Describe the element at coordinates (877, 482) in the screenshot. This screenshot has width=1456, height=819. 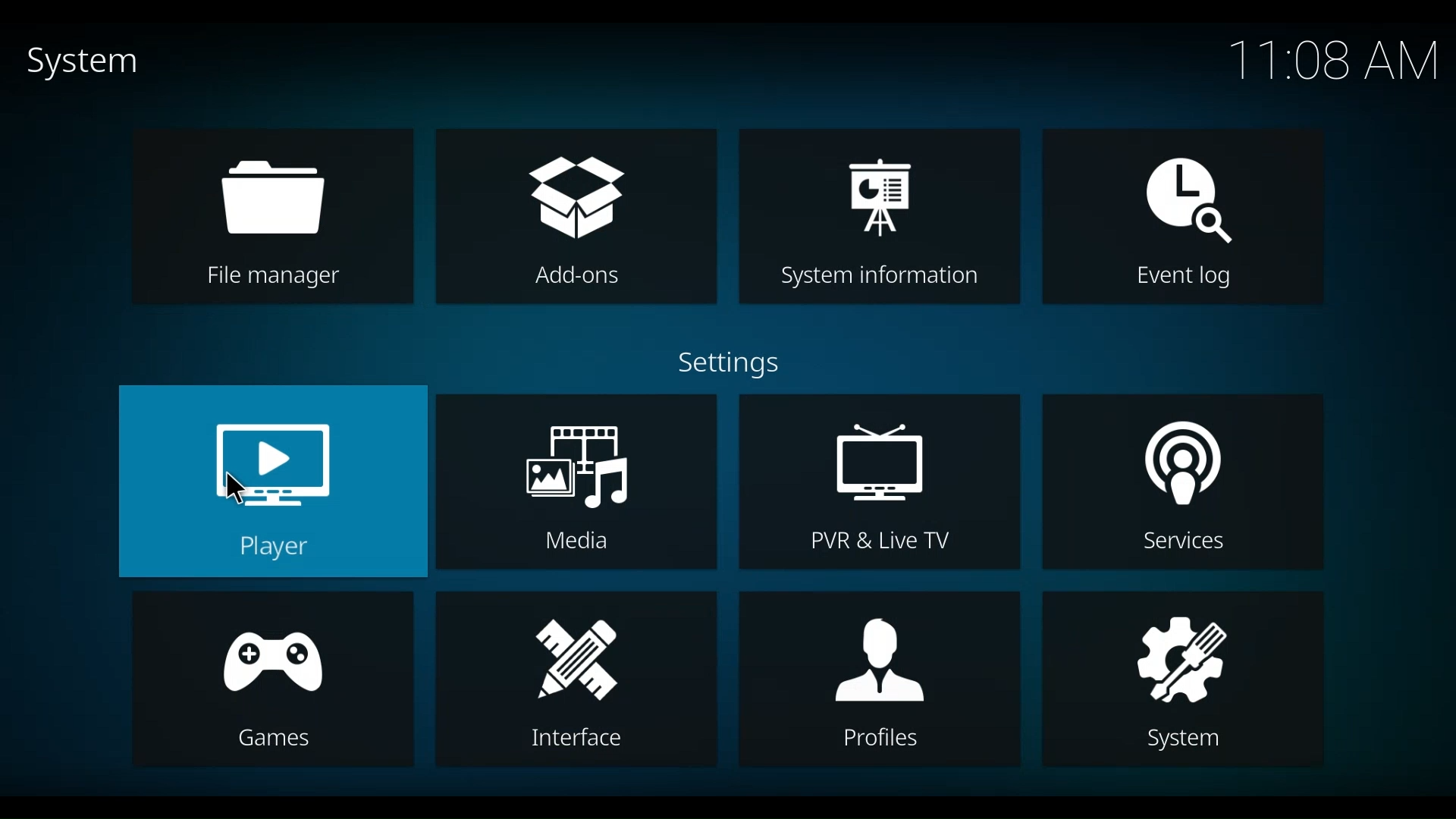
I see `PVR & Live TV` at that location.